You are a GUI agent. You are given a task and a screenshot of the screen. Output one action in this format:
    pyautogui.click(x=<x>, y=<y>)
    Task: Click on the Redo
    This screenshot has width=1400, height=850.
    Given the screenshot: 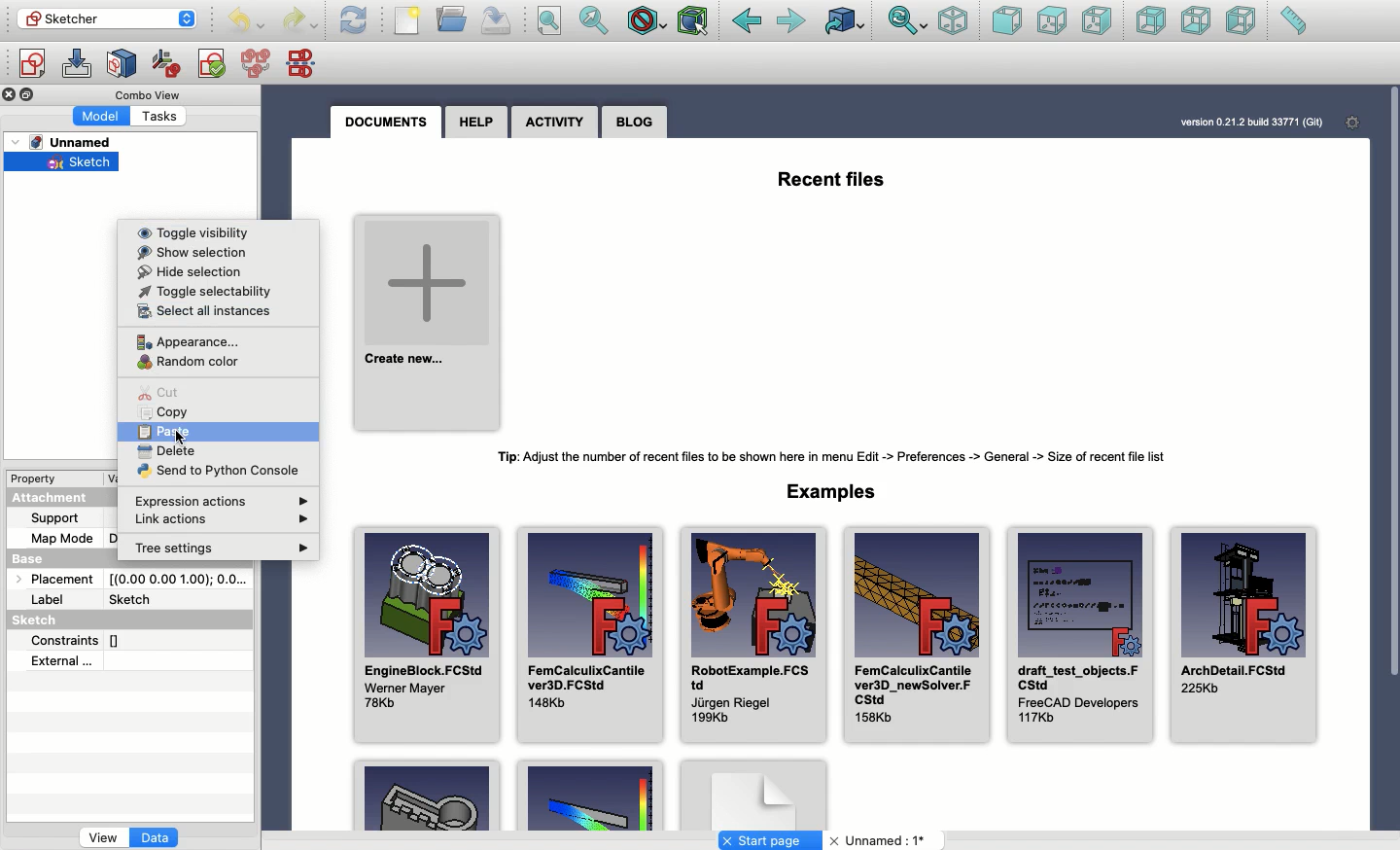 What is the action you would take?
    pyautogui.click(x=299, y=22)
    